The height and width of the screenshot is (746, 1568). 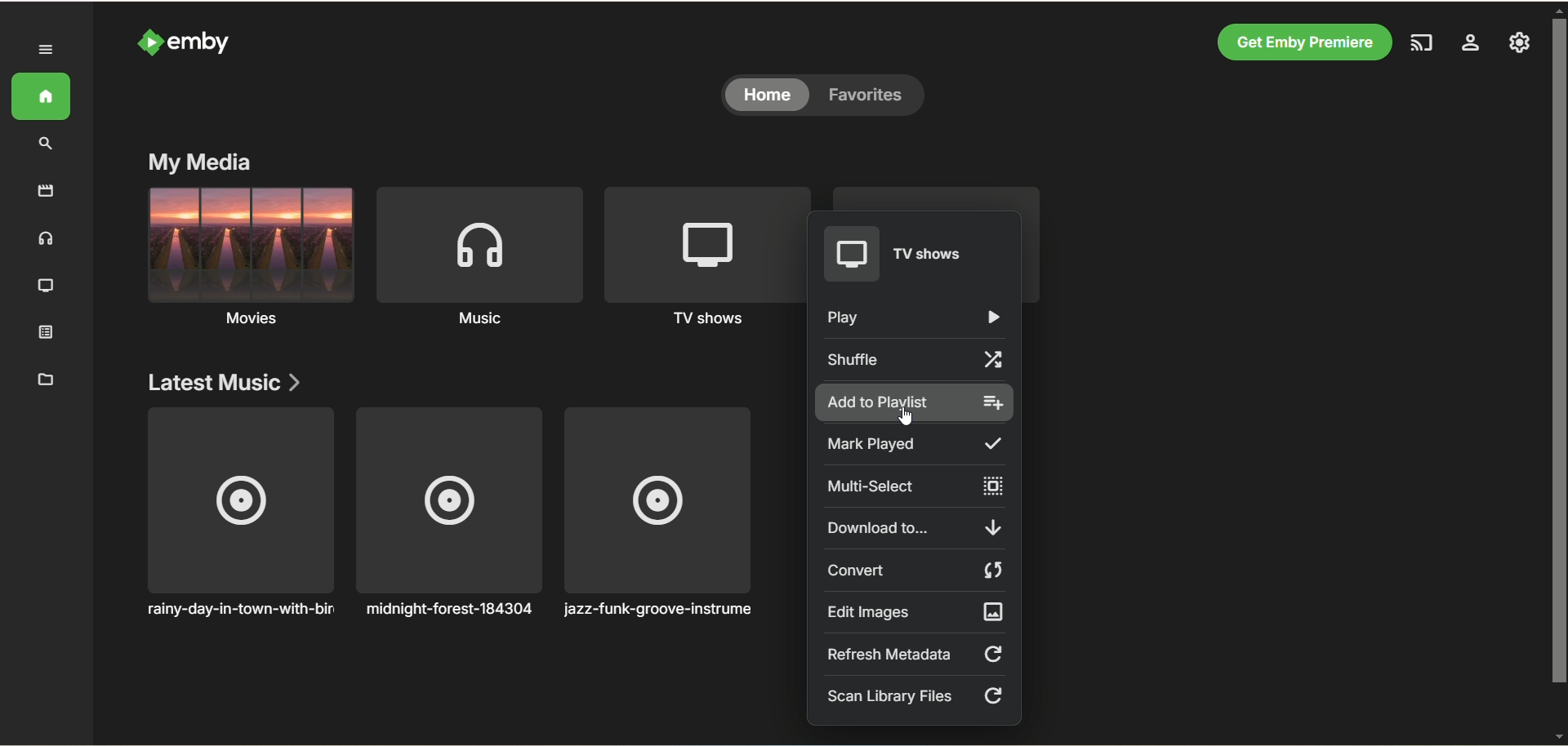 I want to click on emby, so click(x=200, y=42).